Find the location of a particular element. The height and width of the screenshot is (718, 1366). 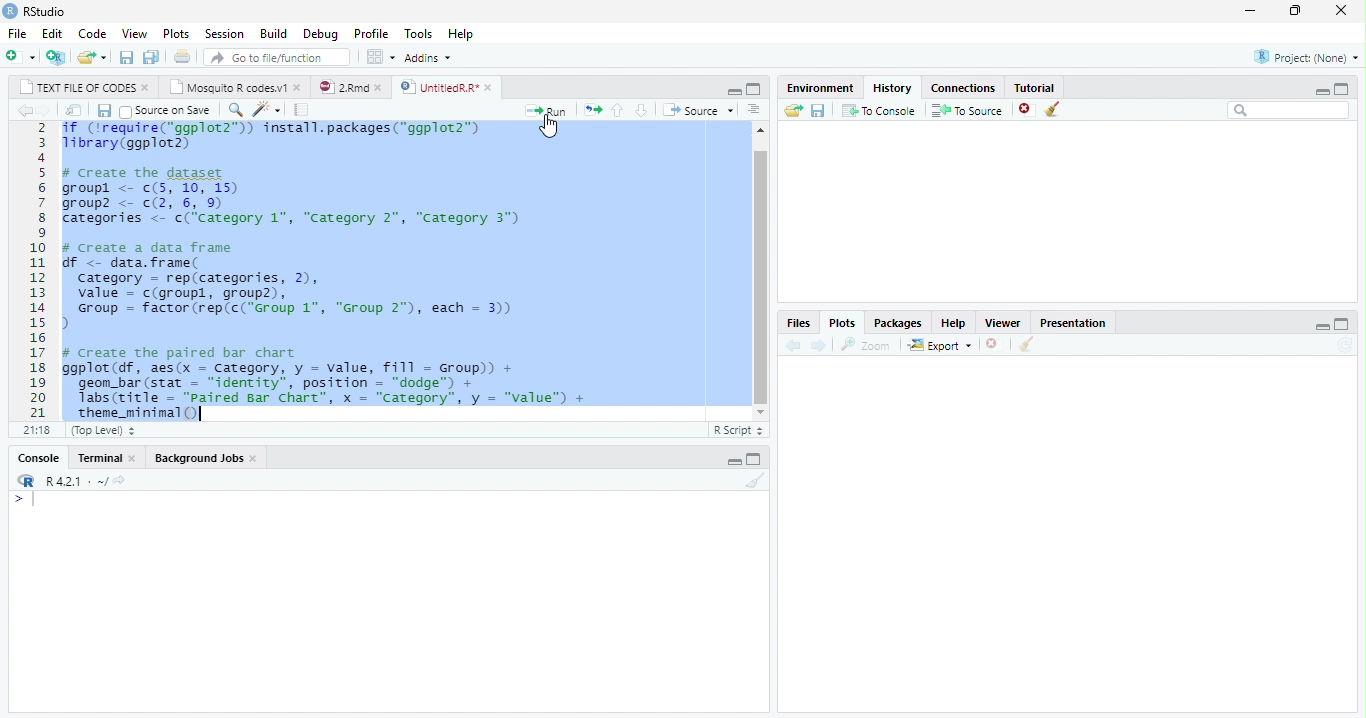

scroll bar is located at coordinates (761, 277).